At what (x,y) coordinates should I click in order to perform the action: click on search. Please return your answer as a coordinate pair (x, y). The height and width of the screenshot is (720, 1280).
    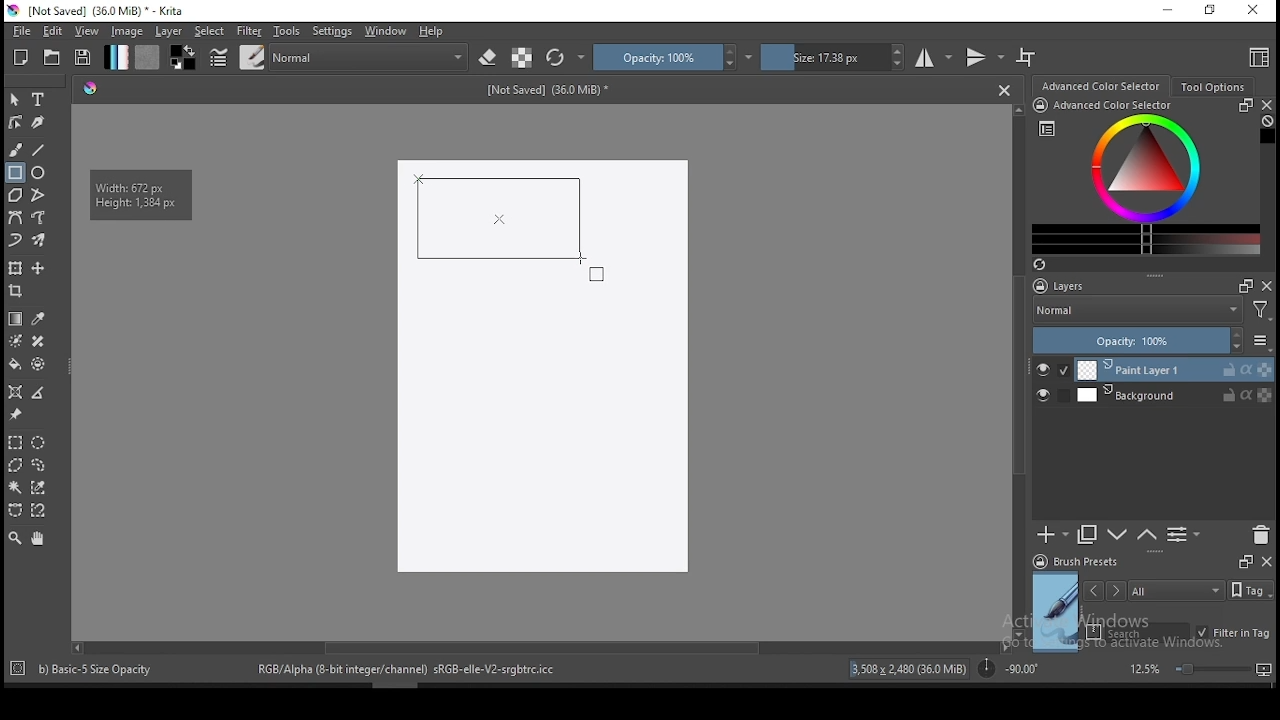
    Looking at the image, I should click on (1138, 632).